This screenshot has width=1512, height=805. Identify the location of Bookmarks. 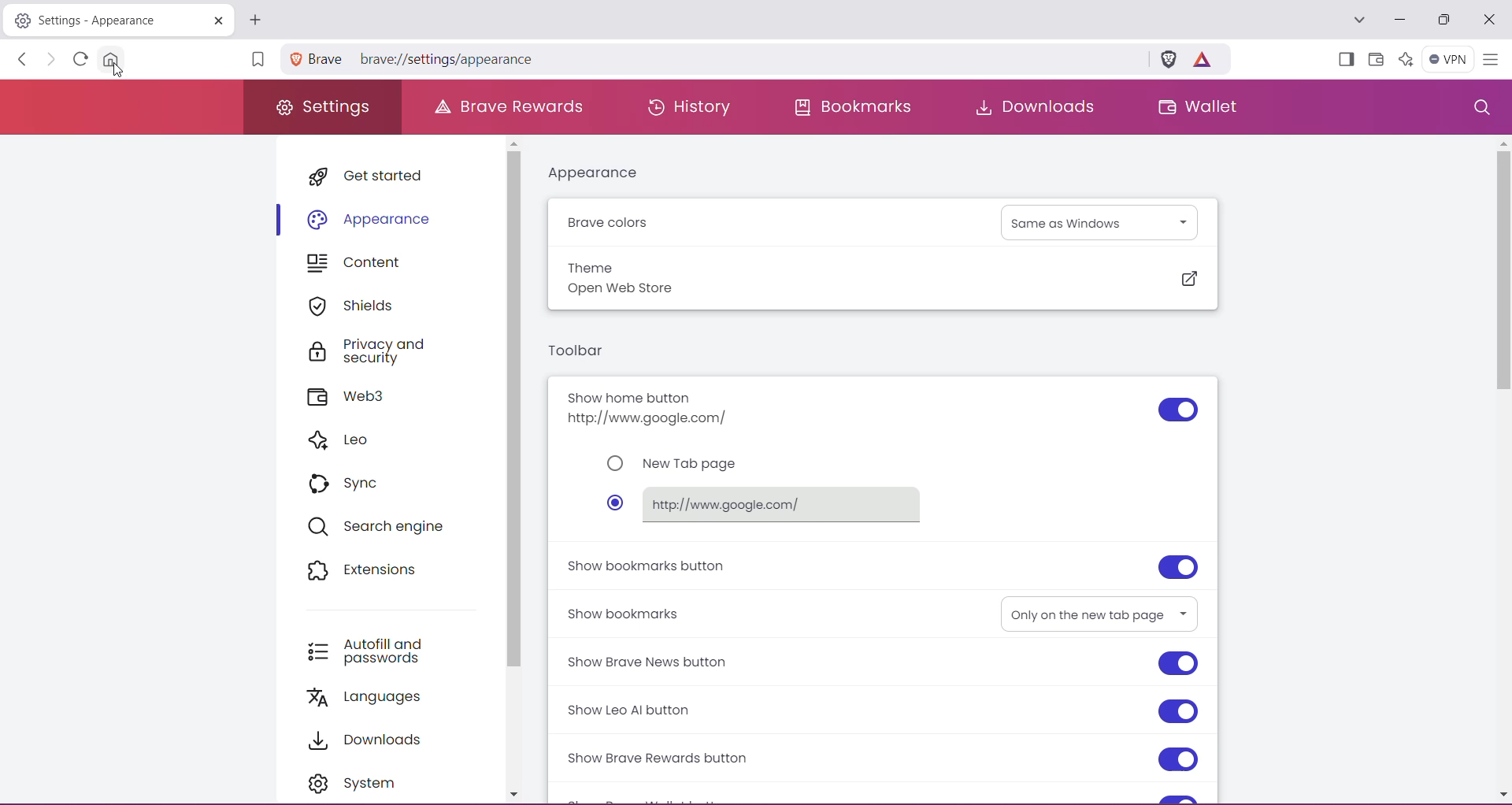
(854, 106).